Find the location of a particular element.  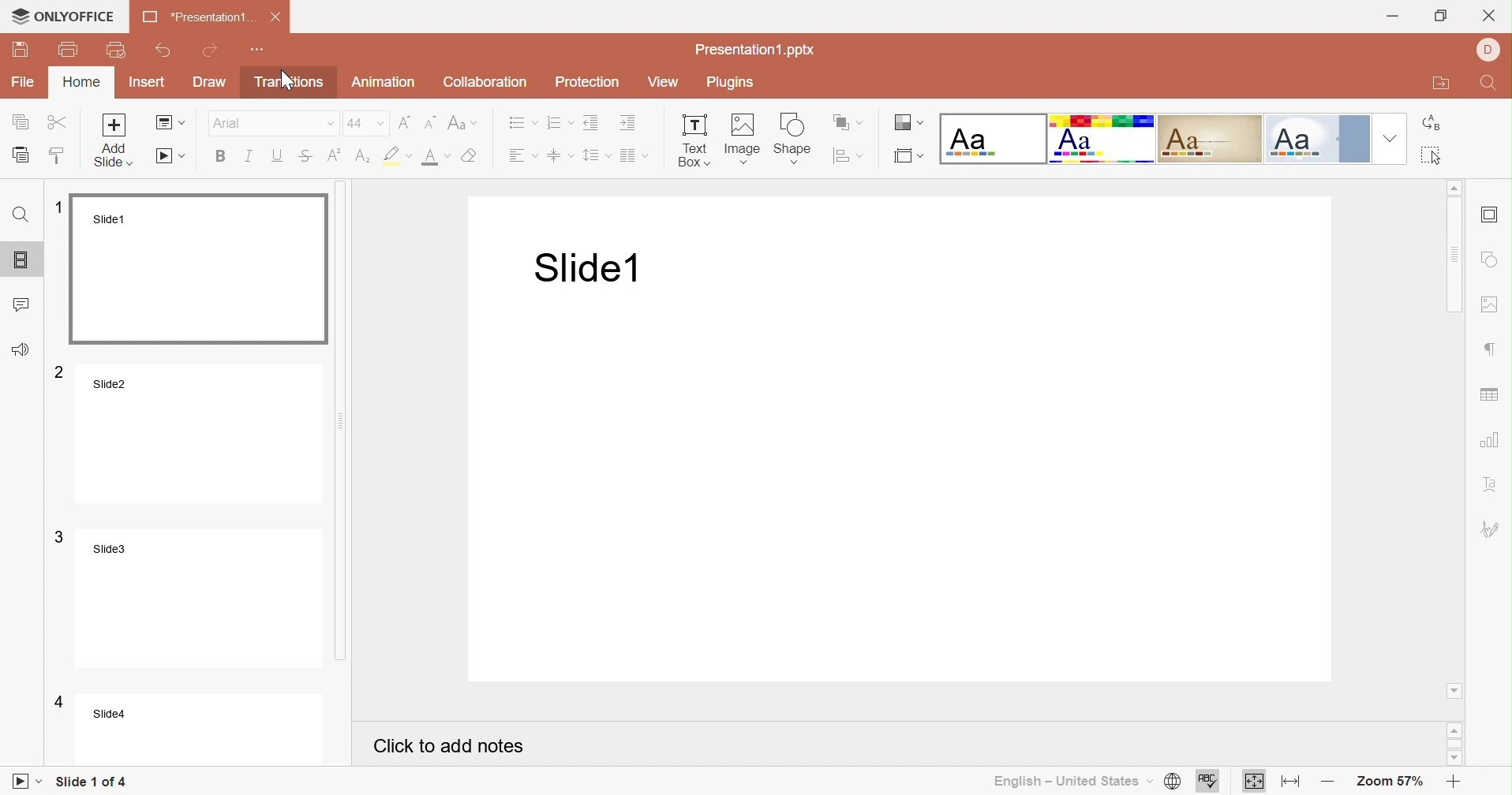

Transitions is located at coordinates (294, 84).